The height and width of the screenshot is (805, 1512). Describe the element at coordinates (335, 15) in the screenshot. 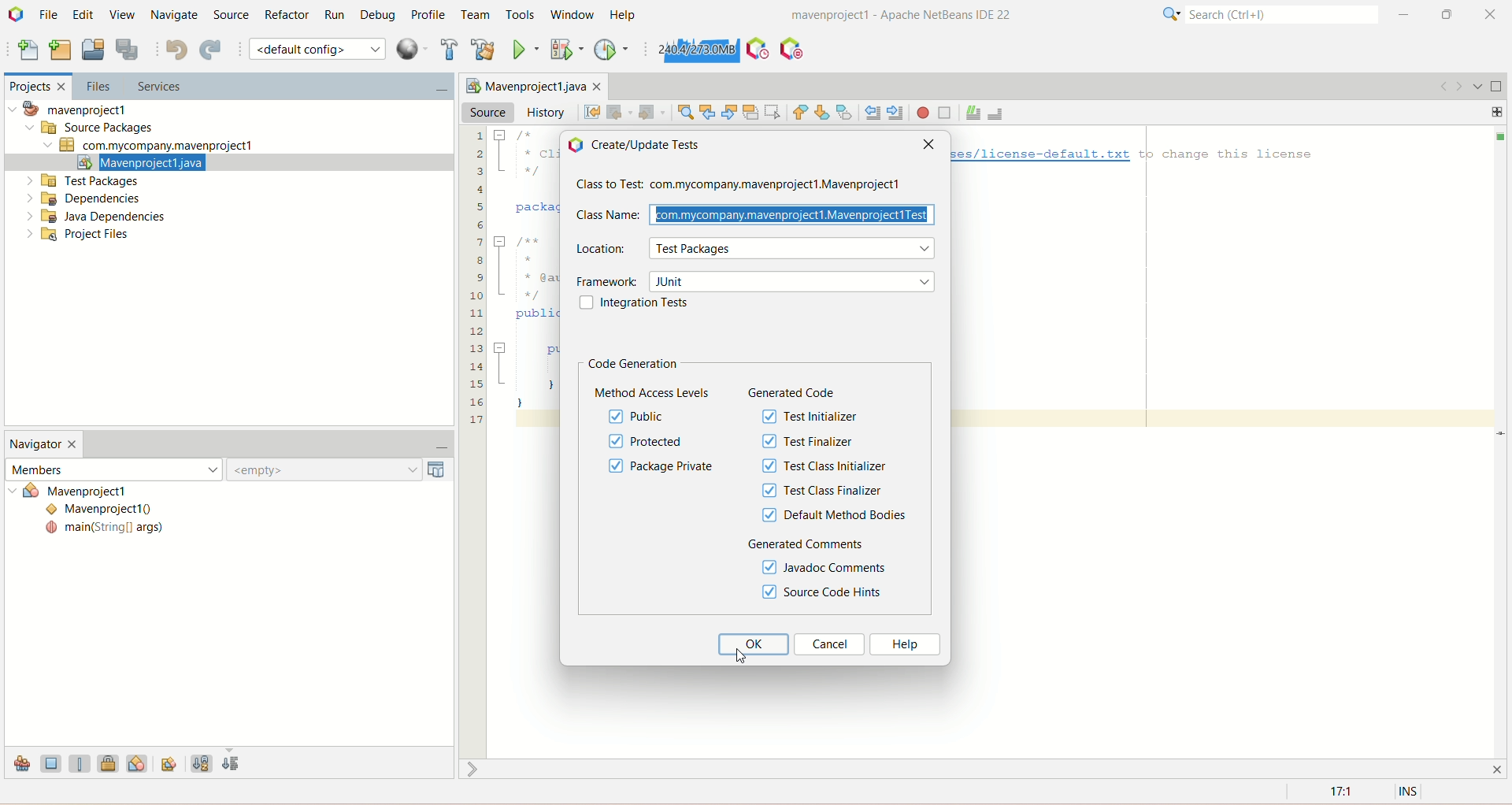

I see `run` at that location.